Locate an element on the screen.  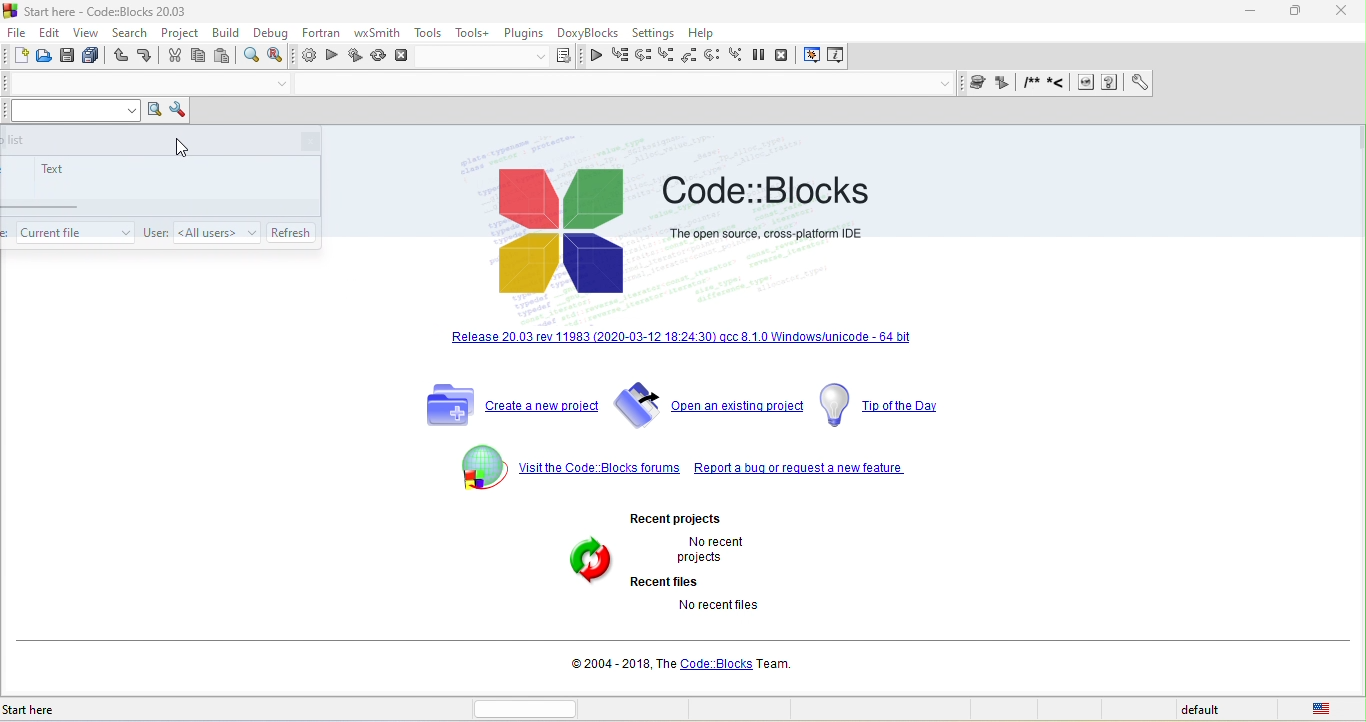
replace is located at coordinates (281, 57).